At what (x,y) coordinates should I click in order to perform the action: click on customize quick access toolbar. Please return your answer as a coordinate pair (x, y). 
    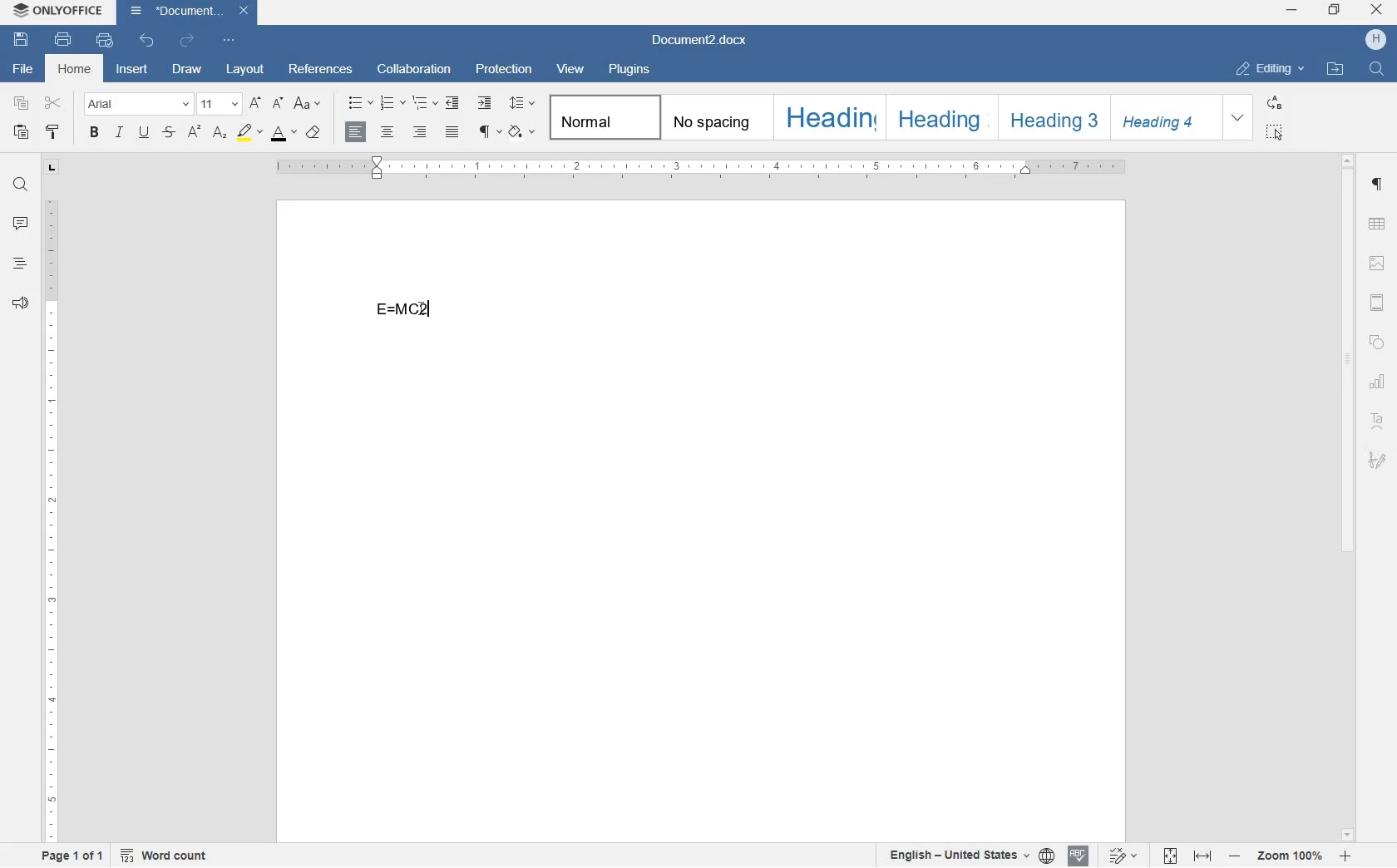
    Looking at the image, I should click on (229, 40).